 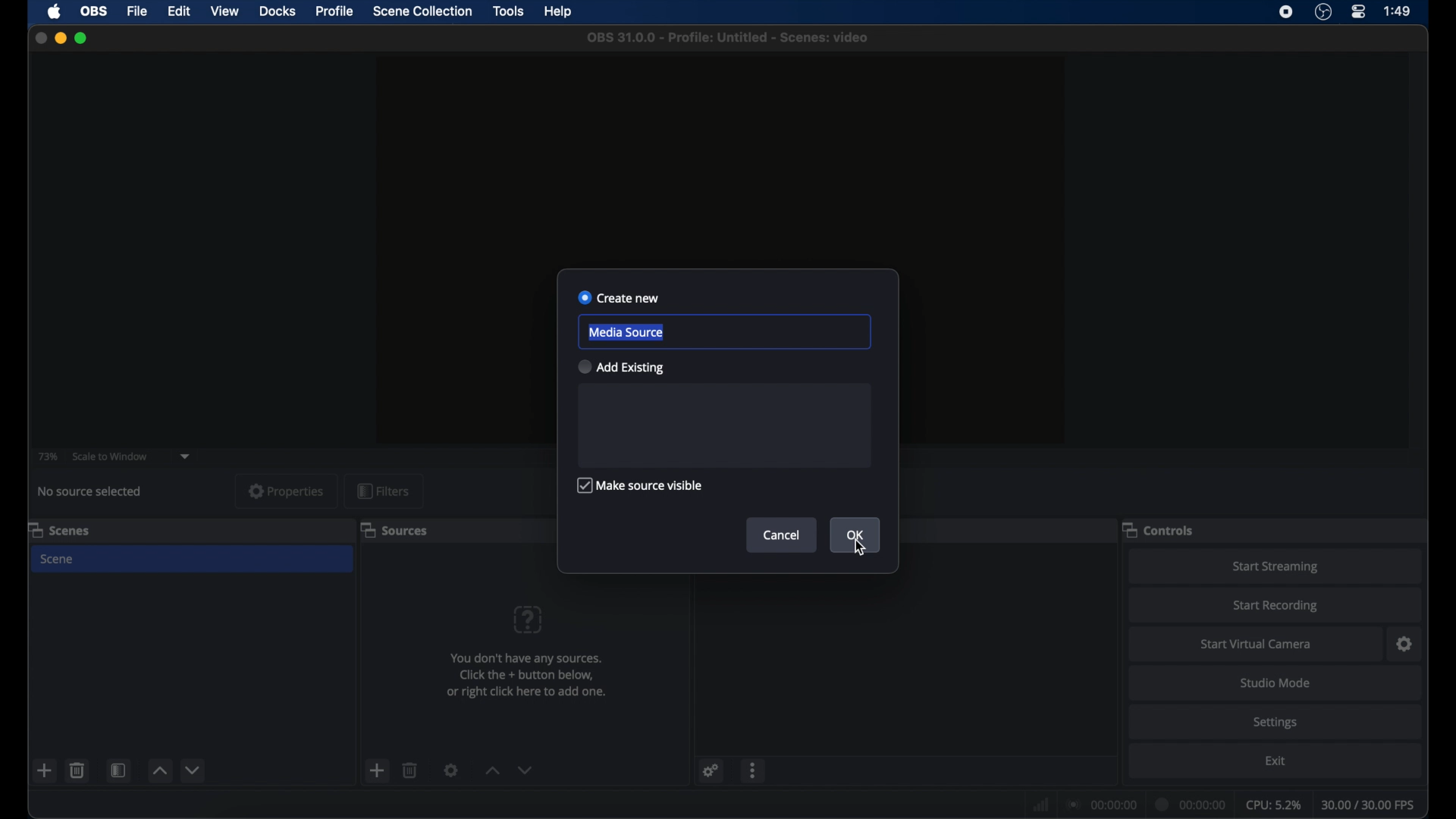 What do you see at coordinates (534, 679) in the screenshot?
I see `text` at bounding box center [534, 679].